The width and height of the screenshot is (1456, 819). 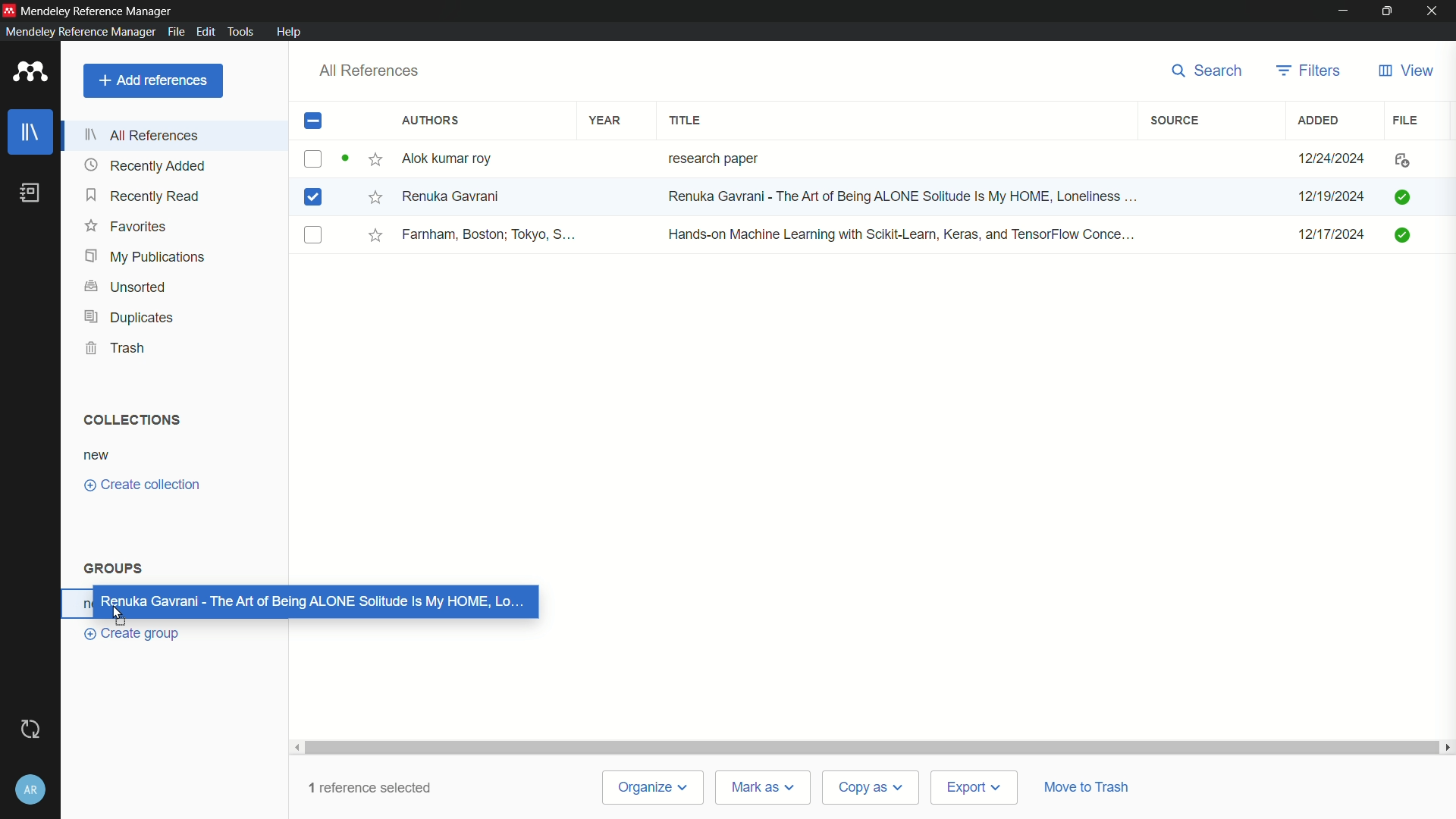 I want to click on edit menu, so click(x=205, y=31).